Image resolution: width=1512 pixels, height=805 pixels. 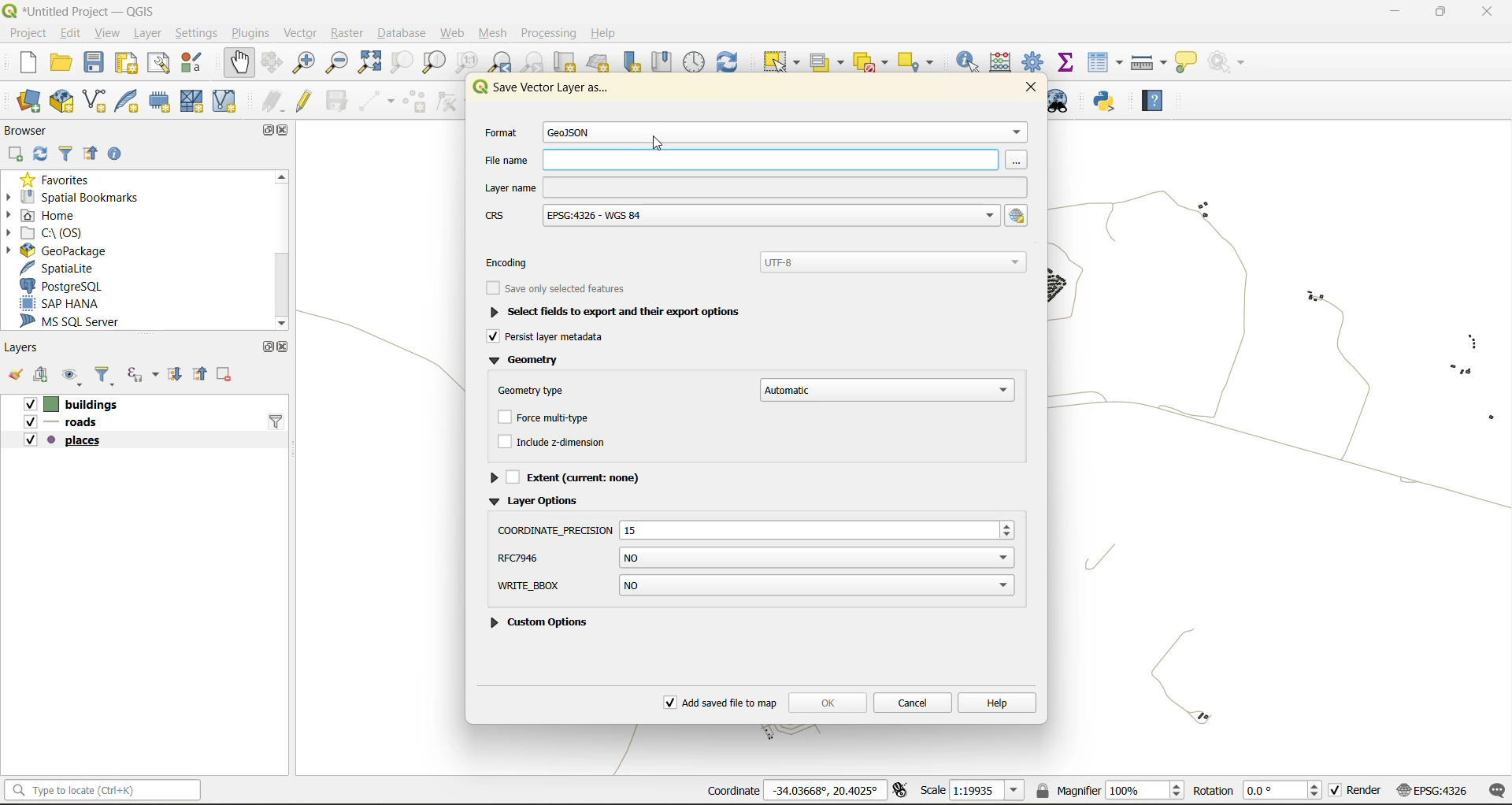 What do you see at coordinates (1038, 88) in the screenshot?
I see `close` at bounding box center [1038, 88].